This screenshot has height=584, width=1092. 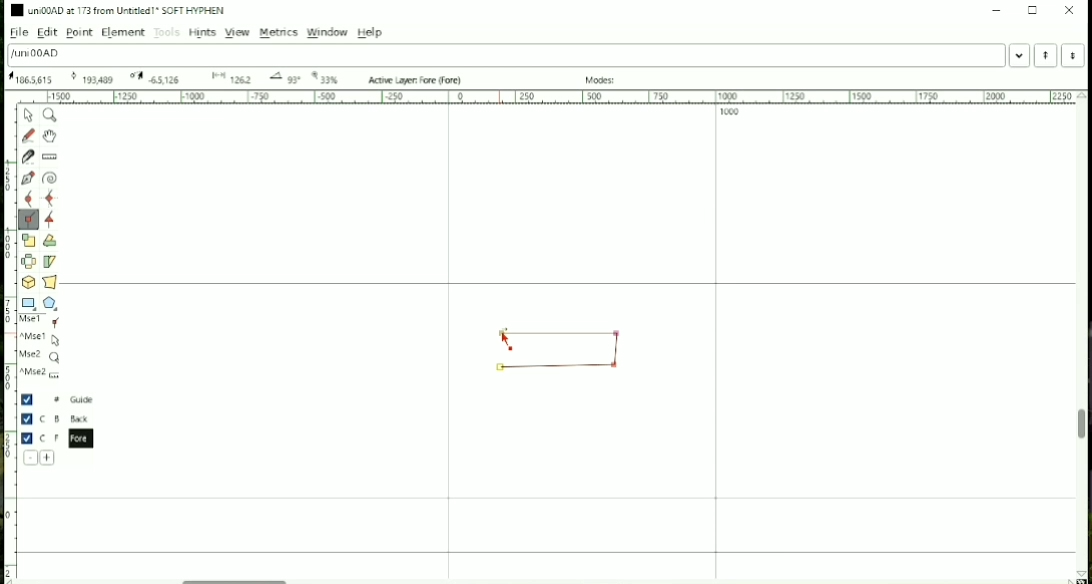 What do you see at coordinates (1079, 427) in the screenshot?
I see `Vertical scrollbar` at bounding box center [1079, 427].